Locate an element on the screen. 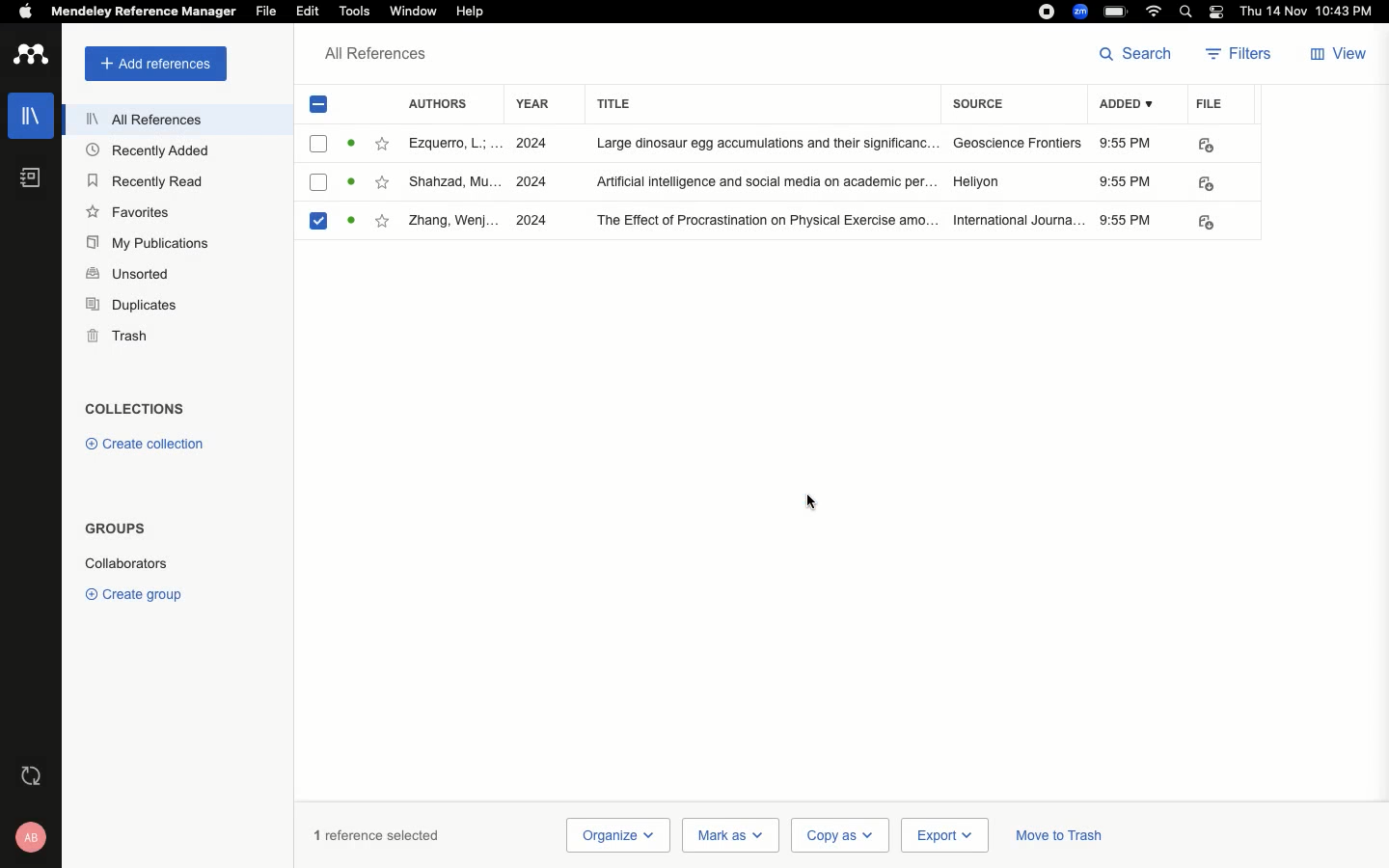 The image size is (1389, 868). Shahzad is located at coordinates (454, 183).